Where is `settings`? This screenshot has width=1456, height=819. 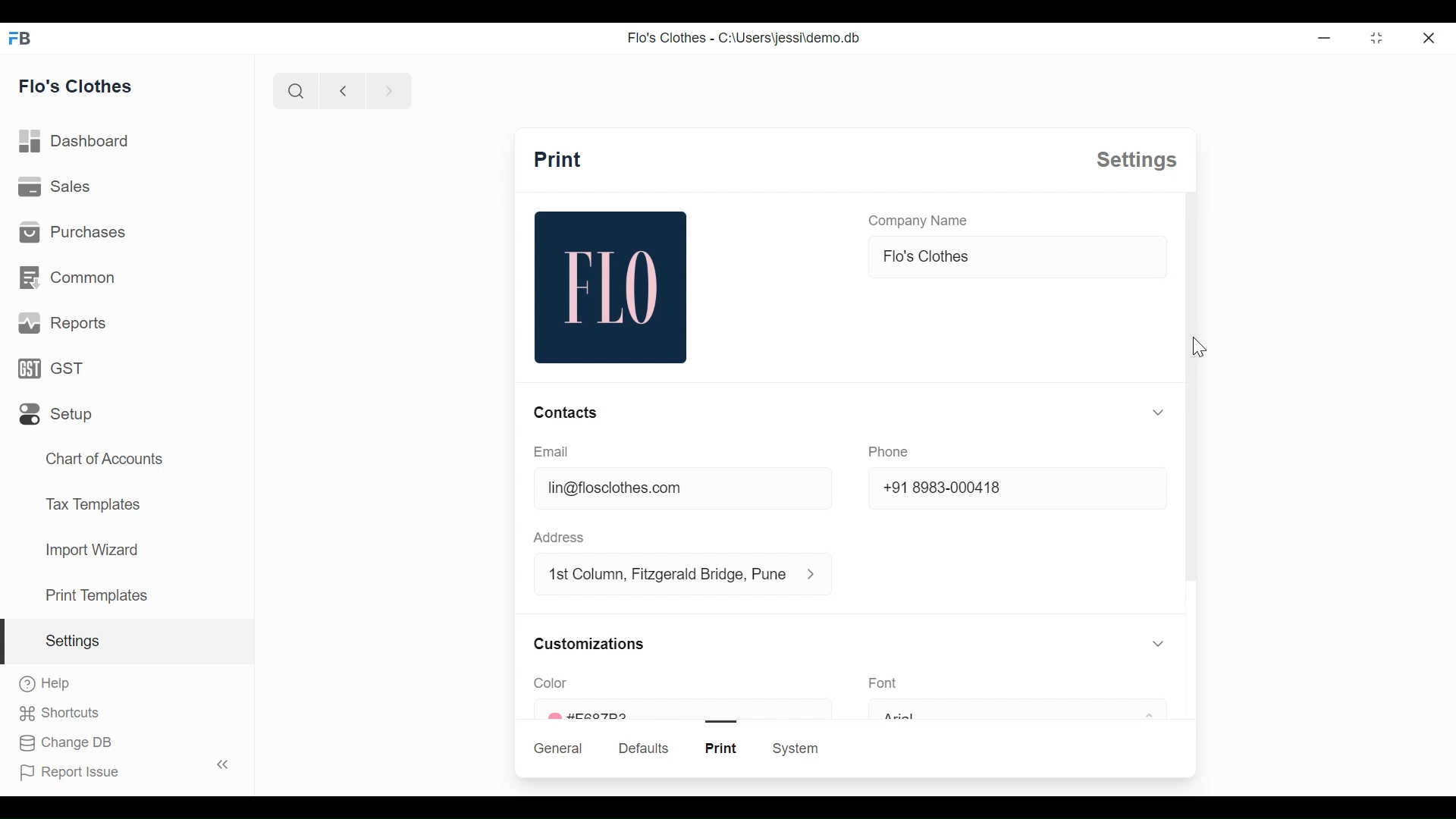 settings is located at coordinates (71, 641).